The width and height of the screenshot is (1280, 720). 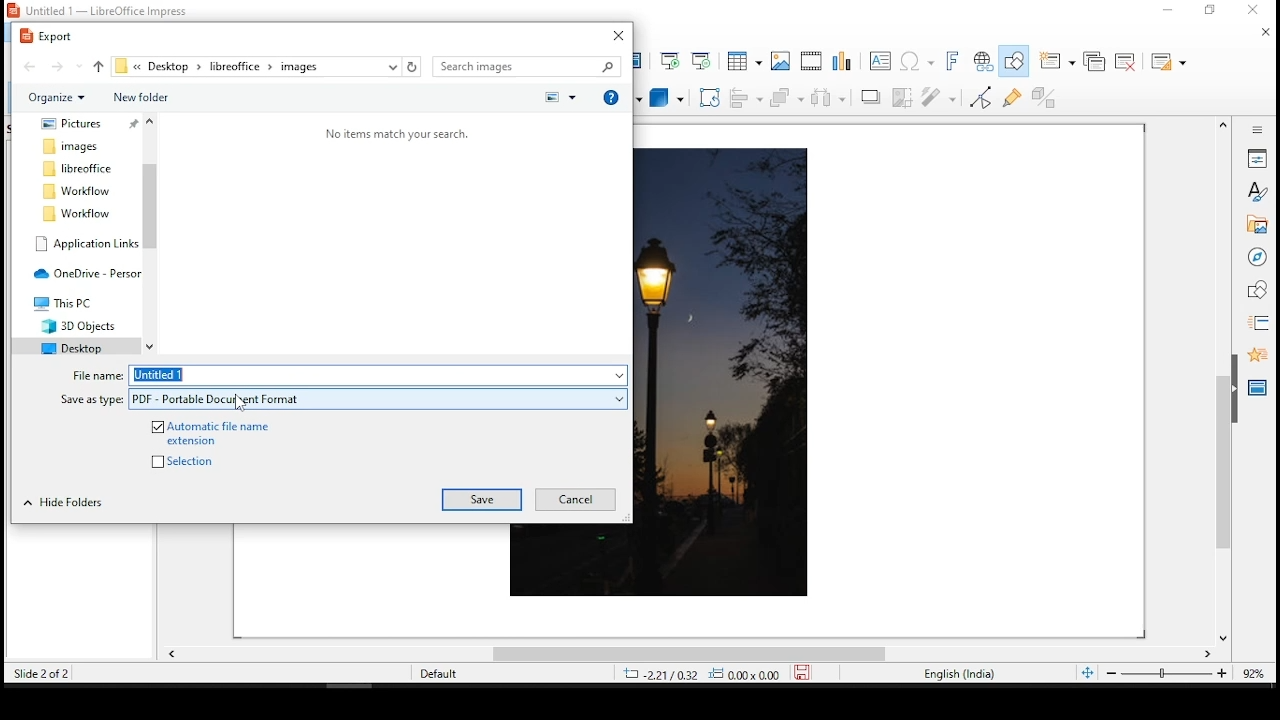 What do you see at coordinates (80, 169) in the screenshot?
I see `folder` at bounding box center [80, 169].